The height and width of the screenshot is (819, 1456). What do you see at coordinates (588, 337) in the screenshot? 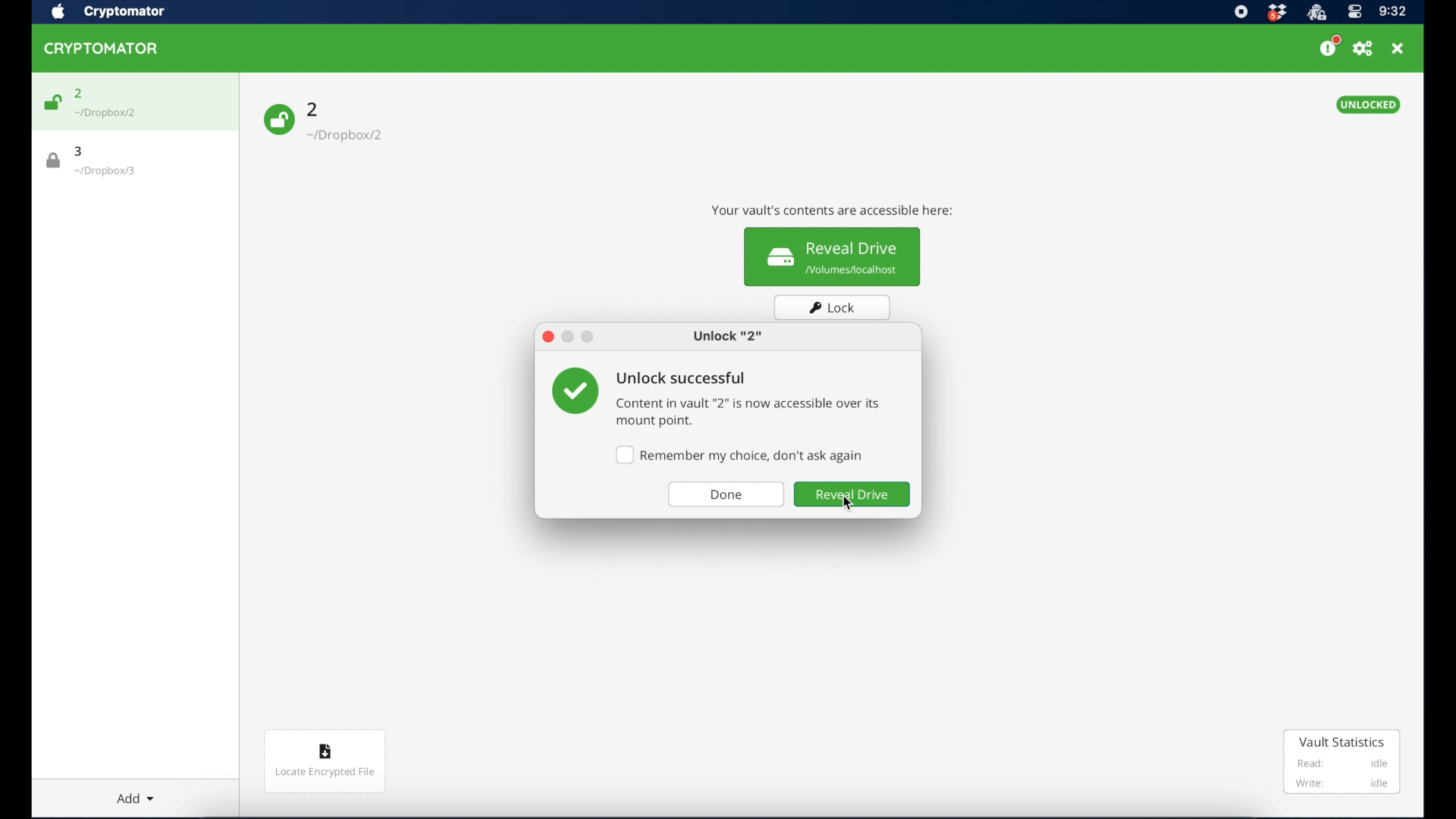
I see `maximize` at bounding box center [588, 337].